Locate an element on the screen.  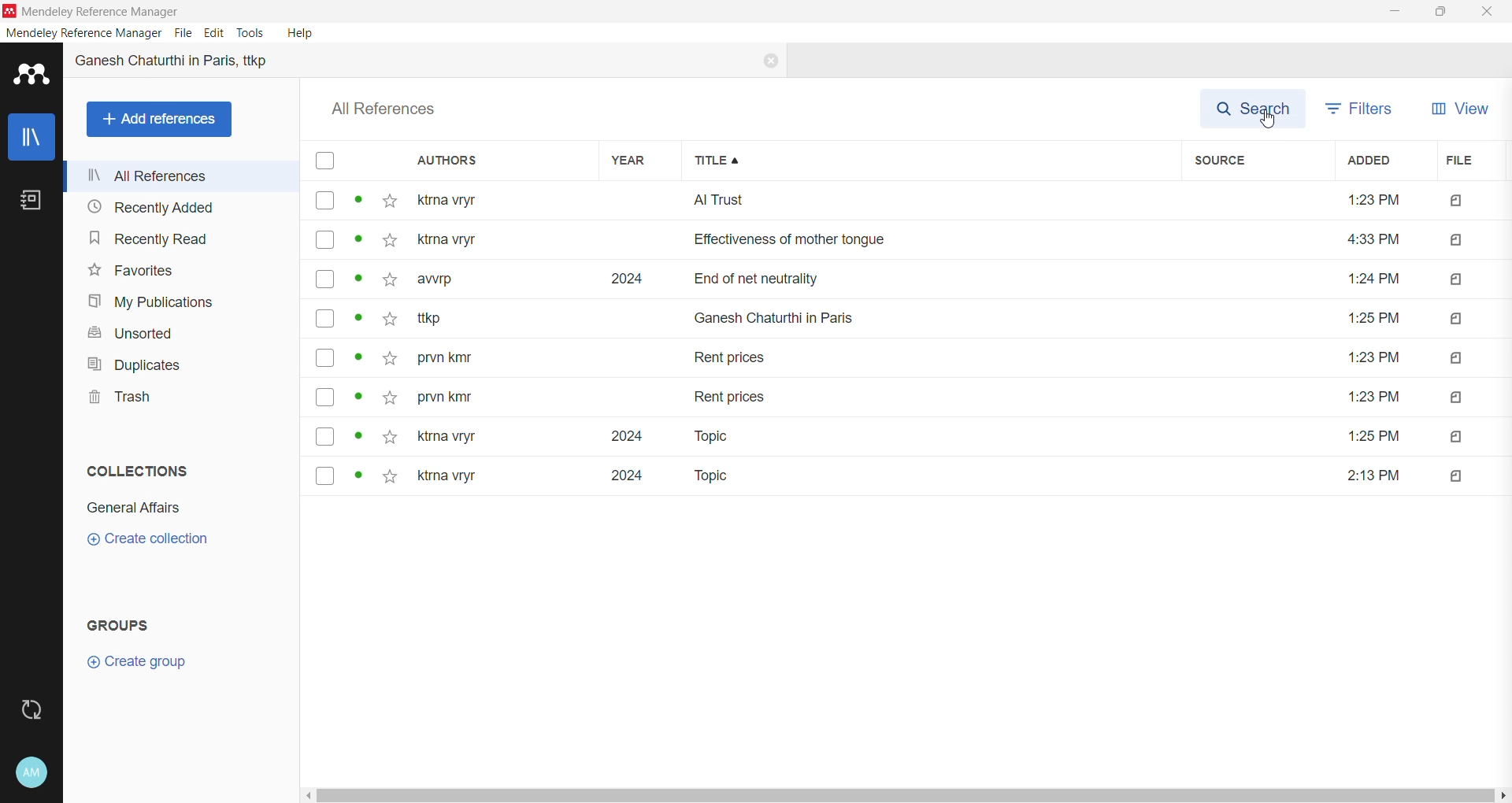
ktrna vryr Effectiveness of mother tongue 4:33 PM is located at coordinates (910, 240).